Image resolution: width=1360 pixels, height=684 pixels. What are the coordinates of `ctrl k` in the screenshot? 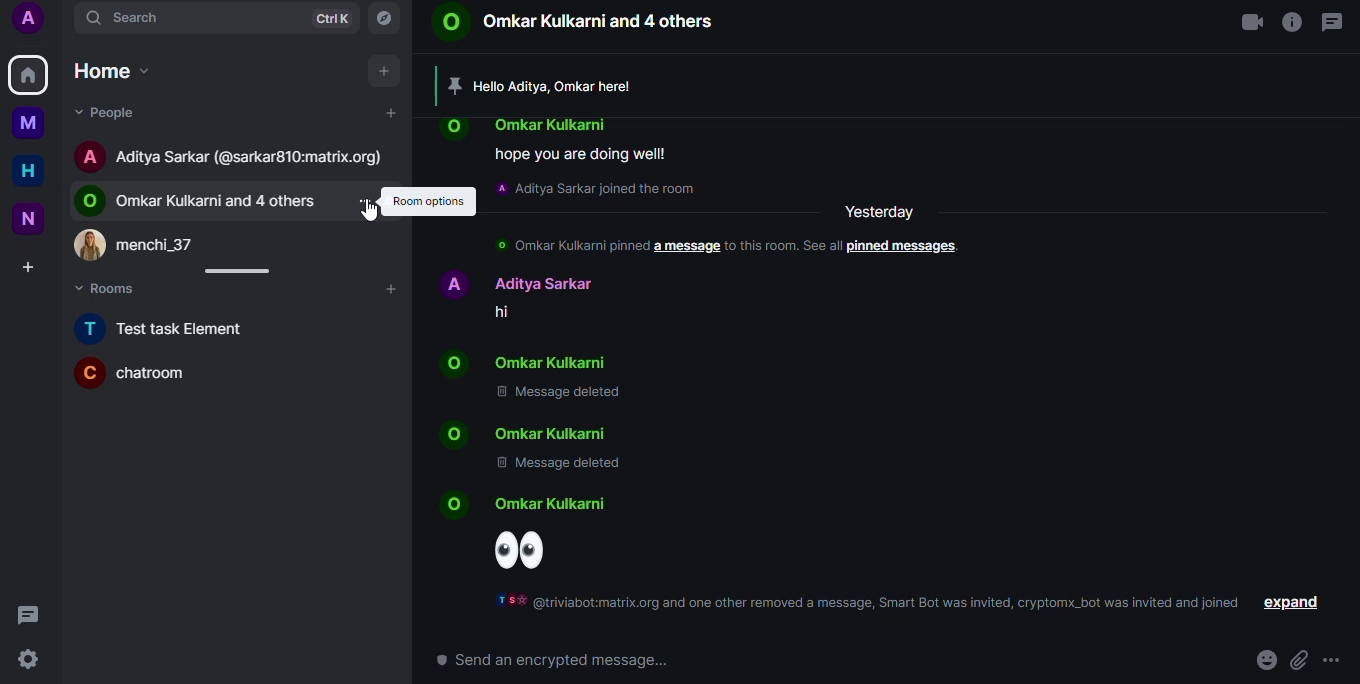 It's located at (333, 18).